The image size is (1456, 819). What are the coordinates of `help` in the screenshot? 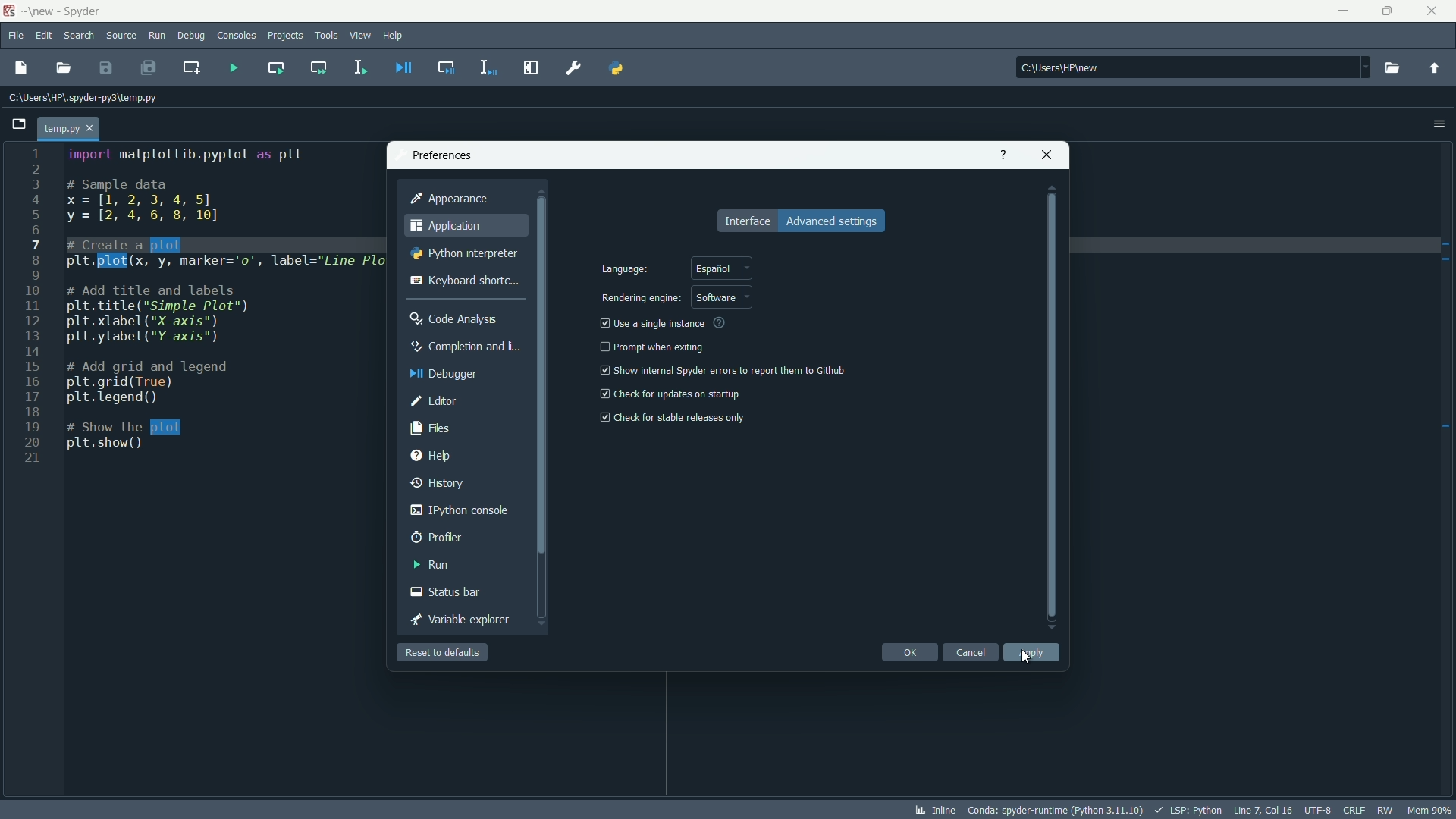 It's located at (394, 36).